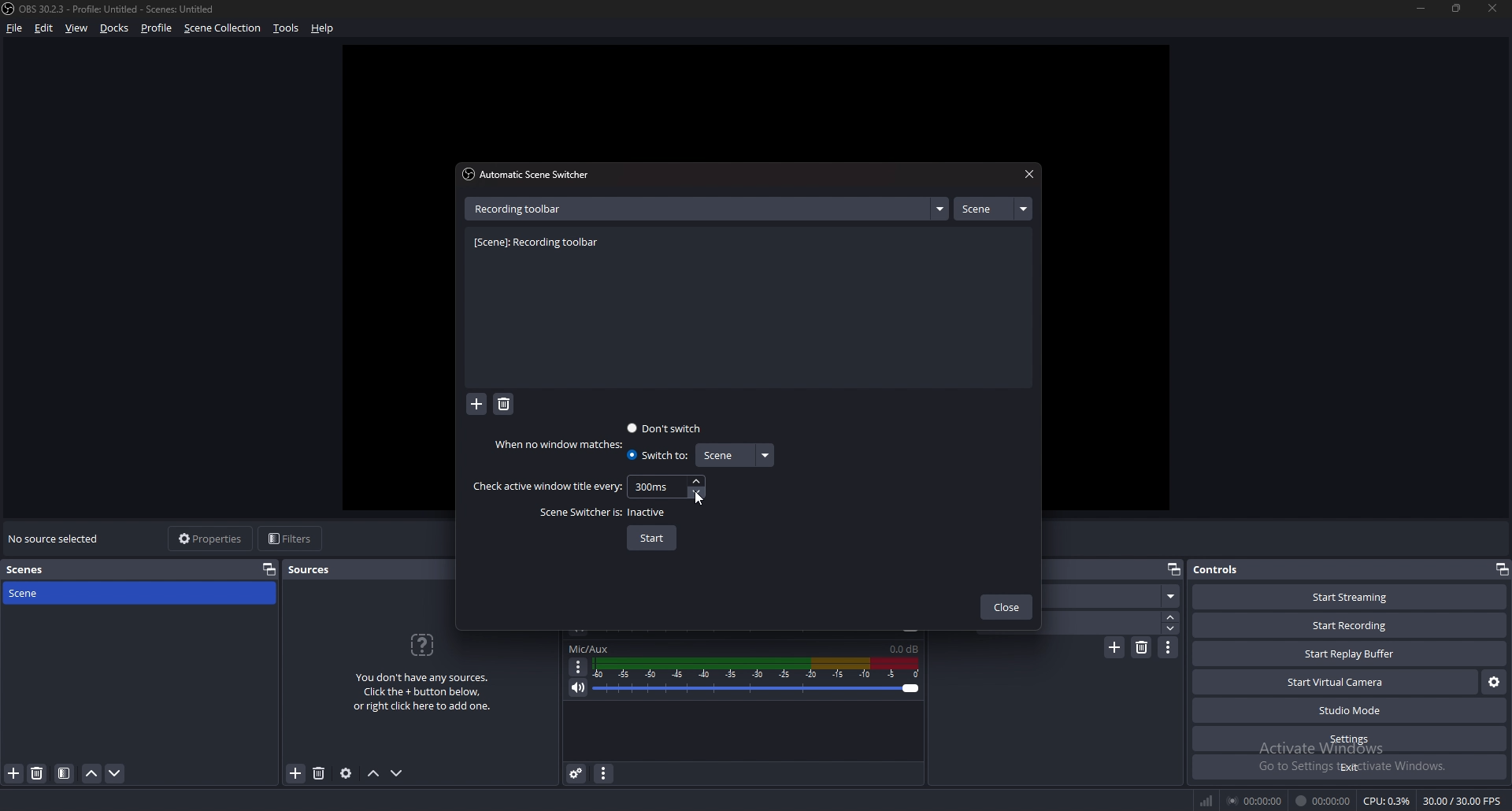 This screenshot has width=1512, height=811. I want to click on move source down, so click(397, 774).